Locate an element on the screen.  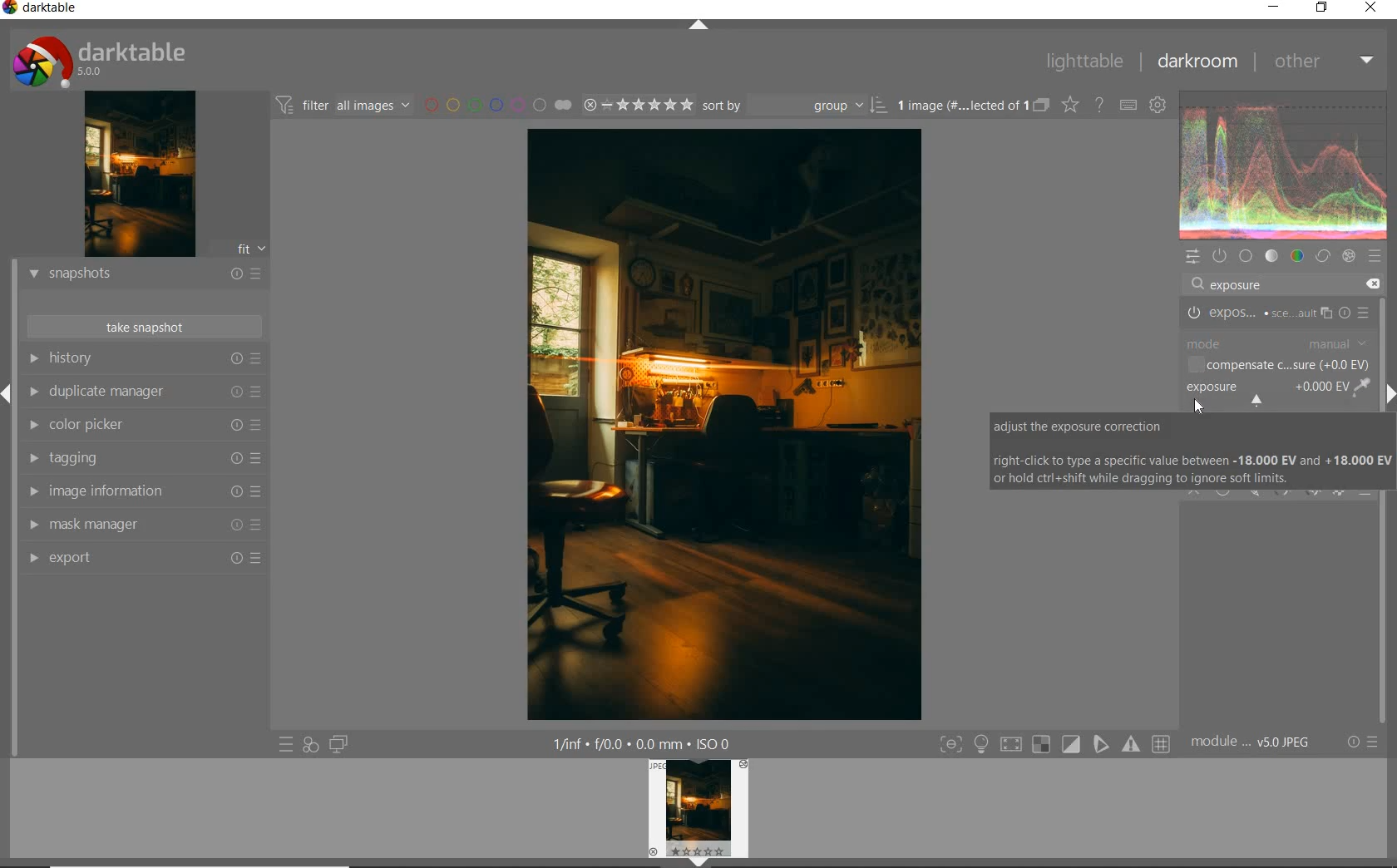
exposure is located at coordinates (1277, 392).